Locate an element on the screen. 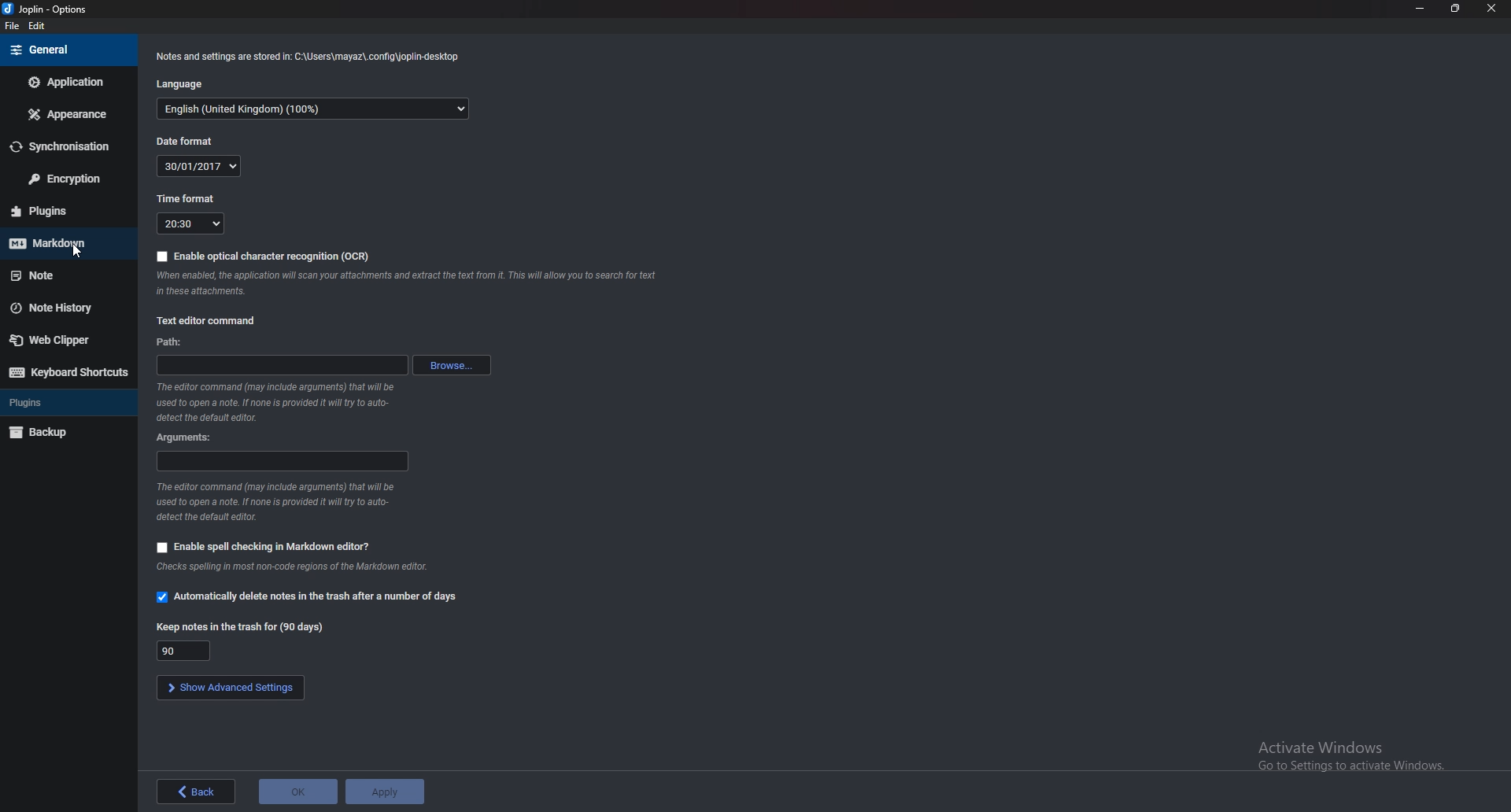 This screenshot has width=1511, height=812. Encryption is located at coordinates (67, 180).